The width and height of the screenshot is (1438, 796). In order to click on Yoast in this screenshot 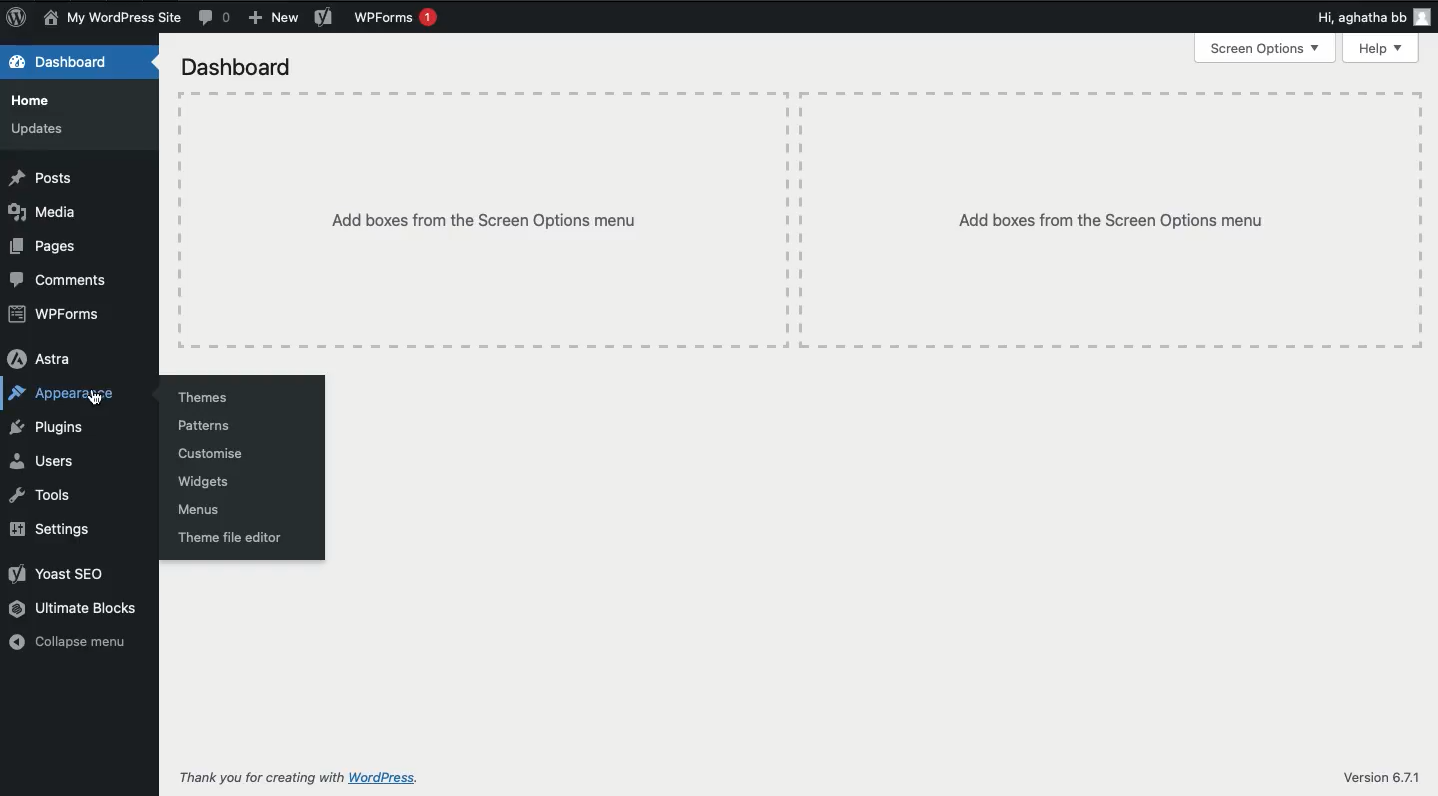, I will do `click(323, 16)`.